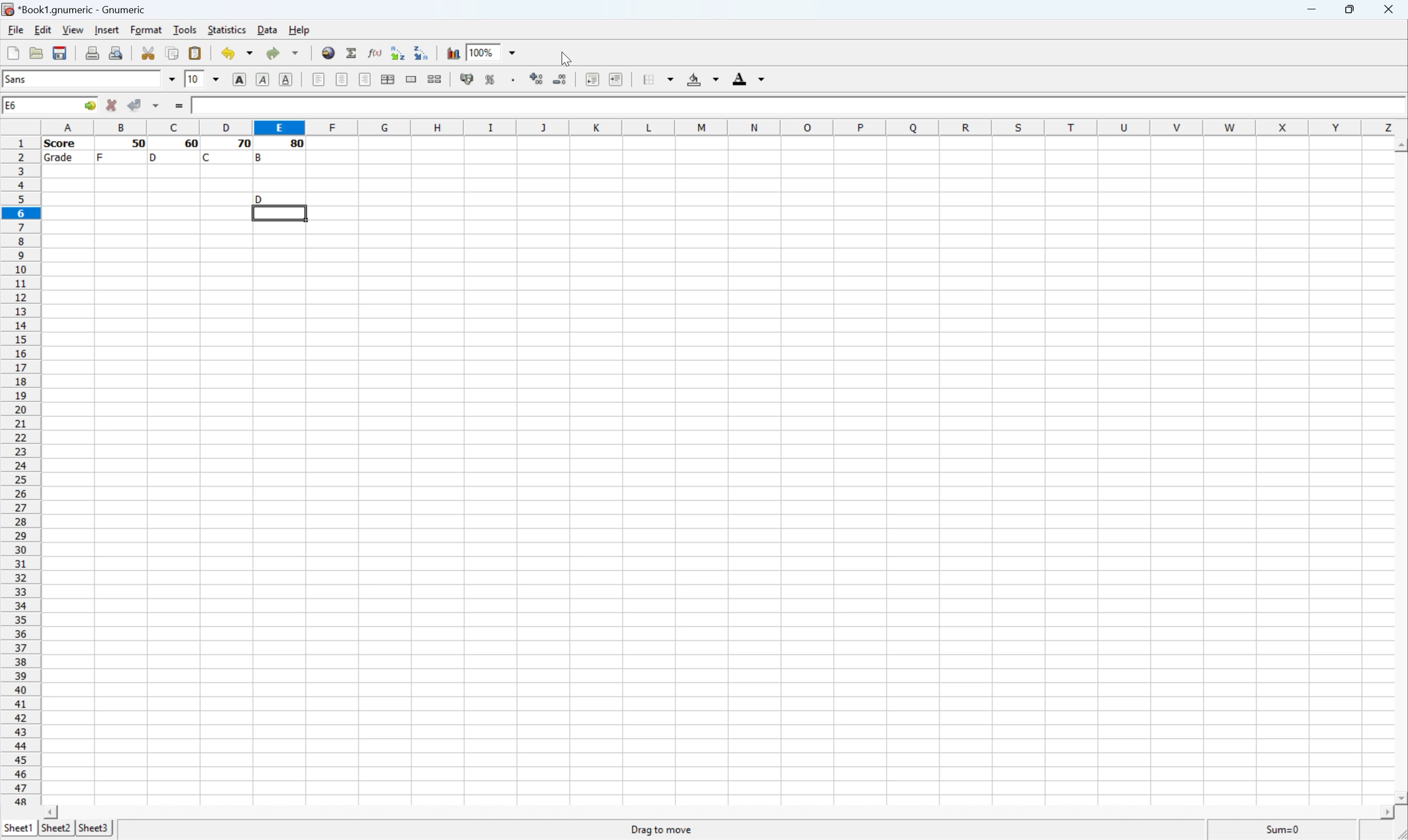  What do you see at coordinates (22, 468) in the screenshot?
I see `Row Numbers` at bounding box center [22, 468].